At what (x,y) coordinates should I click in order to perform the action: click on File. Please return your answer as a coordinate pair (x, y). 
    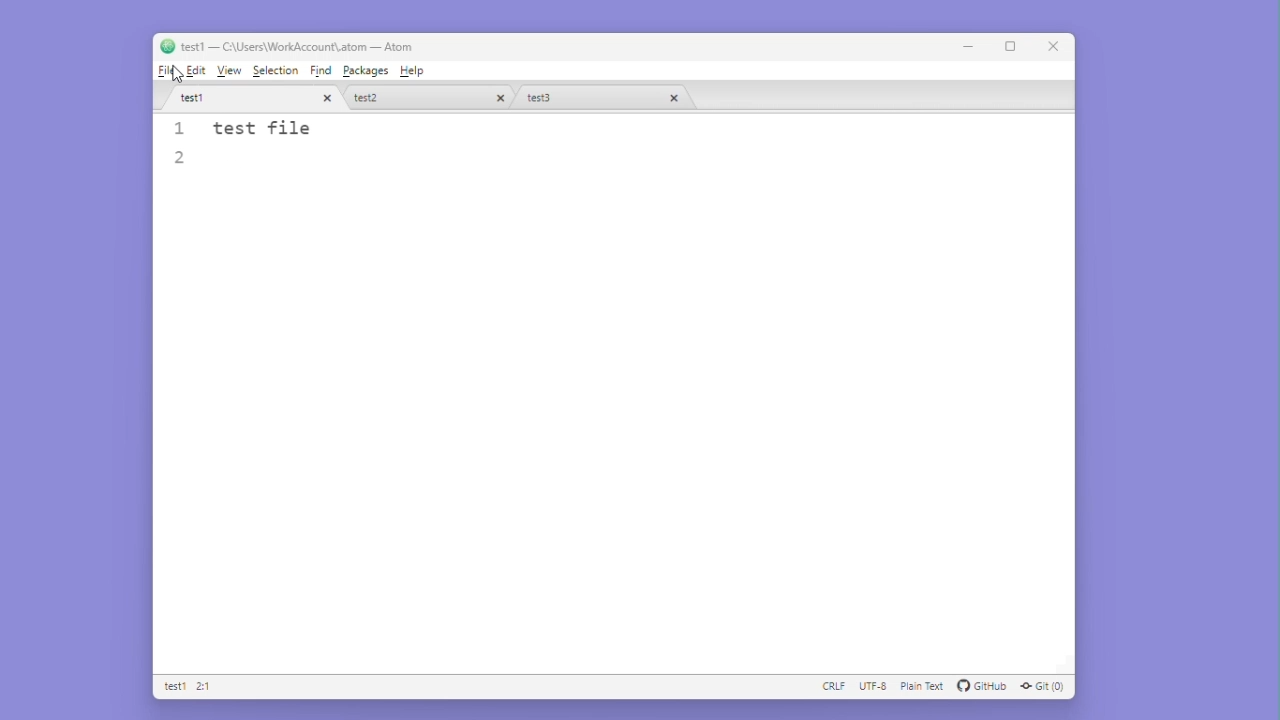
    Looking at the image, I should click on (168, 72).